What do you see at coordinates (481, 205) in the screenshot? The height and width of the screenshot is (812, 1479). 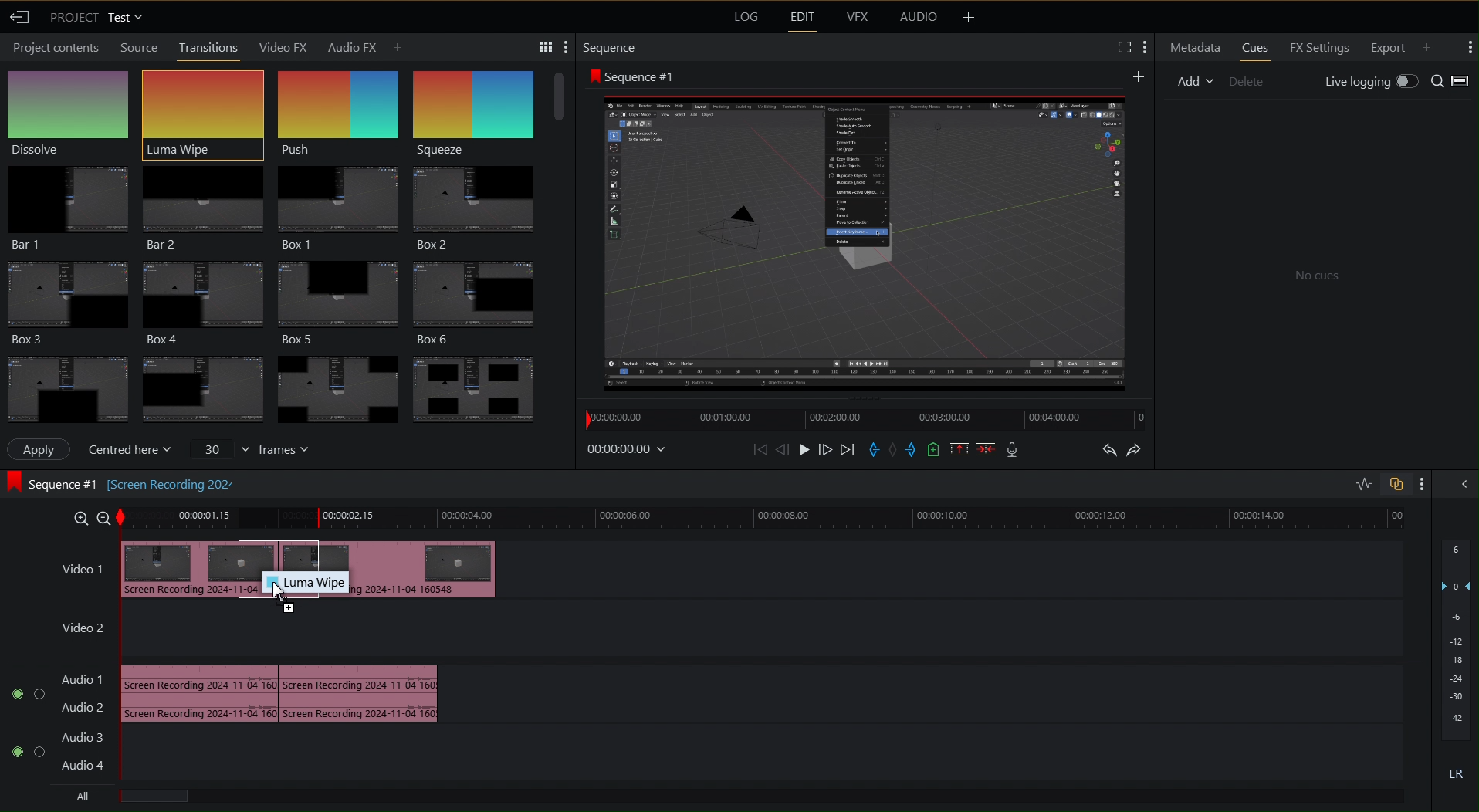 I see `Box 2` at bounding box center [481, 205].